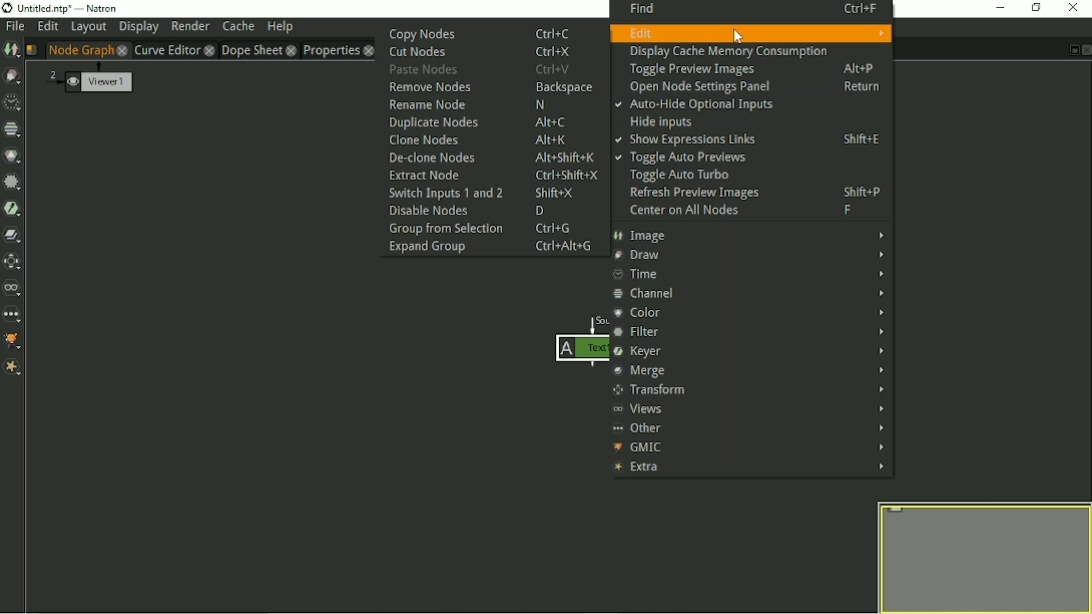  Describe the element at coordinates (494, 157) in the screenshot. I see `De-clone Nodes` at that location.